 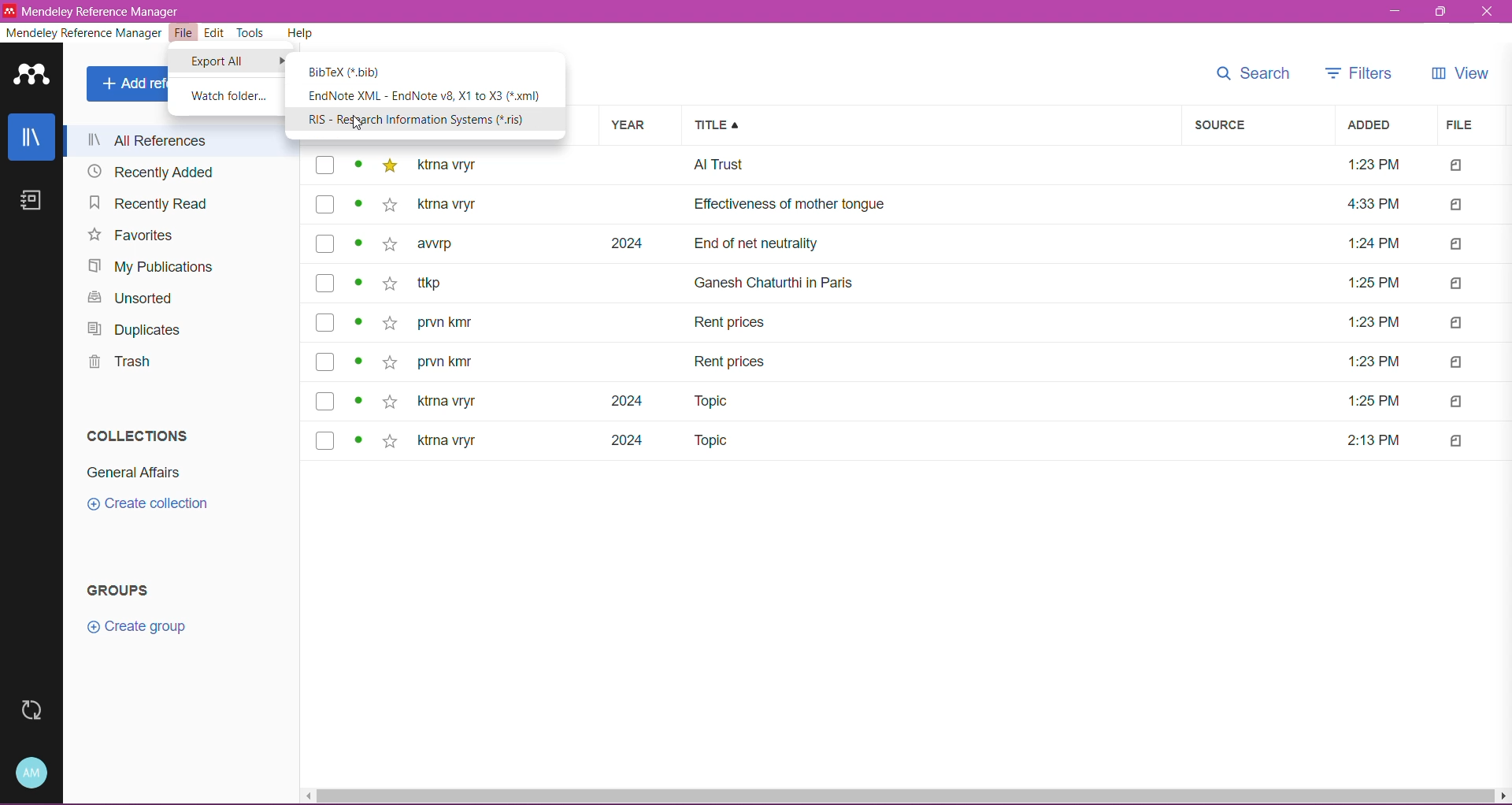 What do you see at coordinates (39, 710) in the screenshot?
I see `Last Sync` at bounding box center [39, 710].